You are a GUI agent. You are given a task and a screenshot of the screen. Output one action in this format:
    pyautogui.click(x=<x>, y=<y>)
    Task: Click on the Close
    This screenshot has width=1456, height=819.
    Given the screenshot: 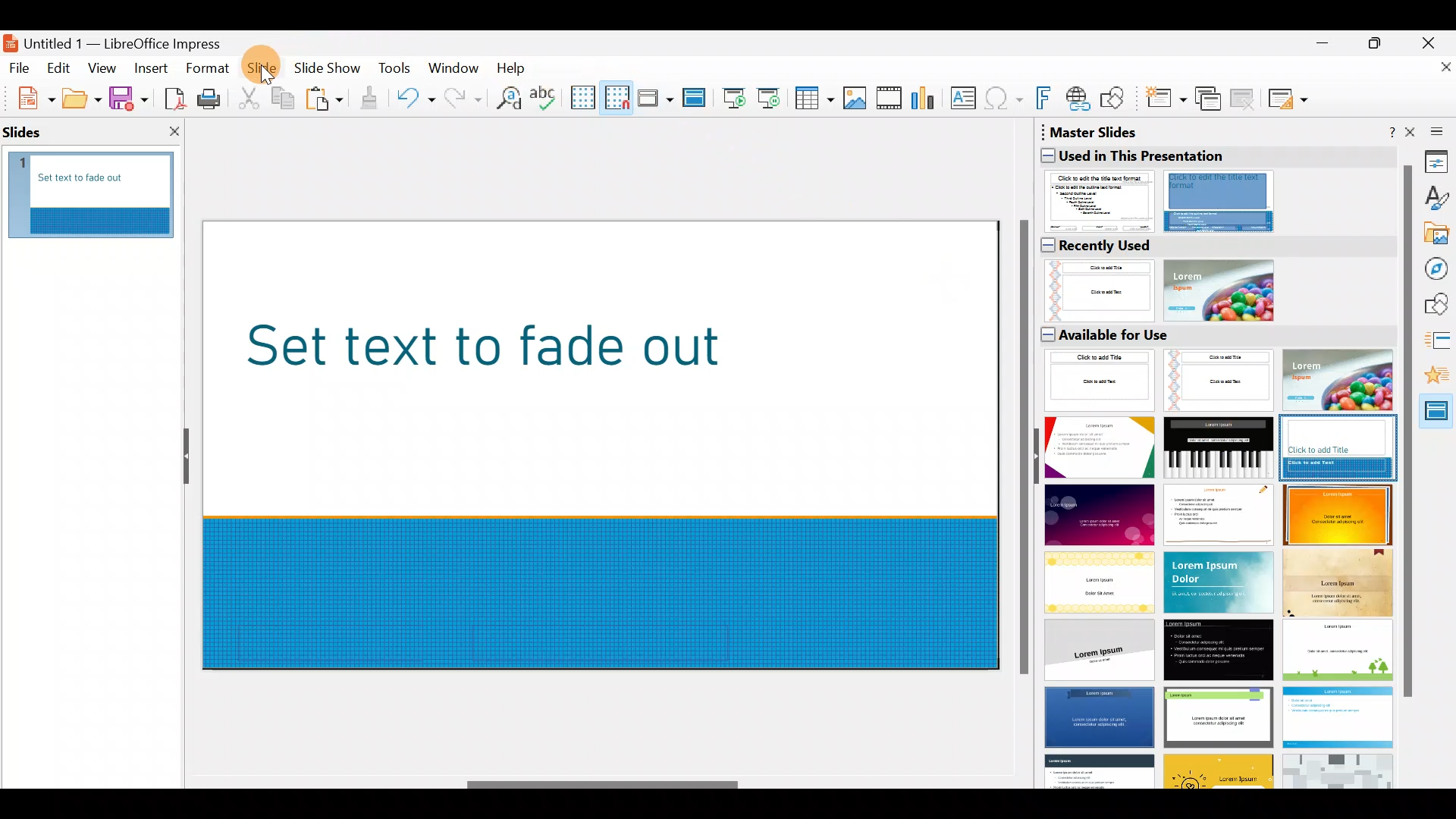 What is the action you would take?
    pyautogui.click(x=1434, y=41)
    